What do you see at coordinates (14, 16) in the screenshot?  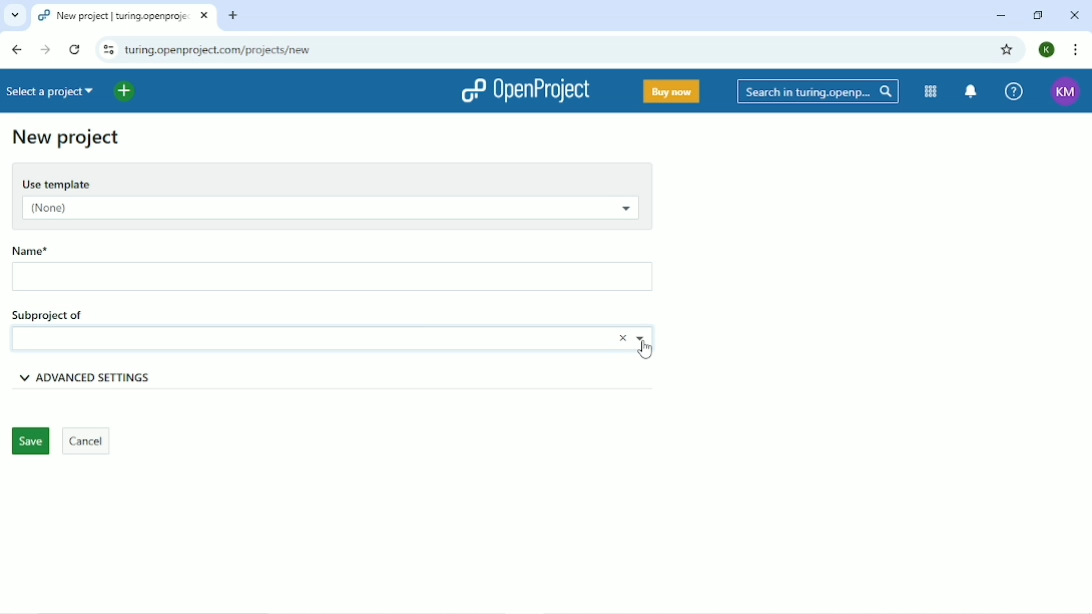 I see `Search tabs` at bounding box center [14, 16].